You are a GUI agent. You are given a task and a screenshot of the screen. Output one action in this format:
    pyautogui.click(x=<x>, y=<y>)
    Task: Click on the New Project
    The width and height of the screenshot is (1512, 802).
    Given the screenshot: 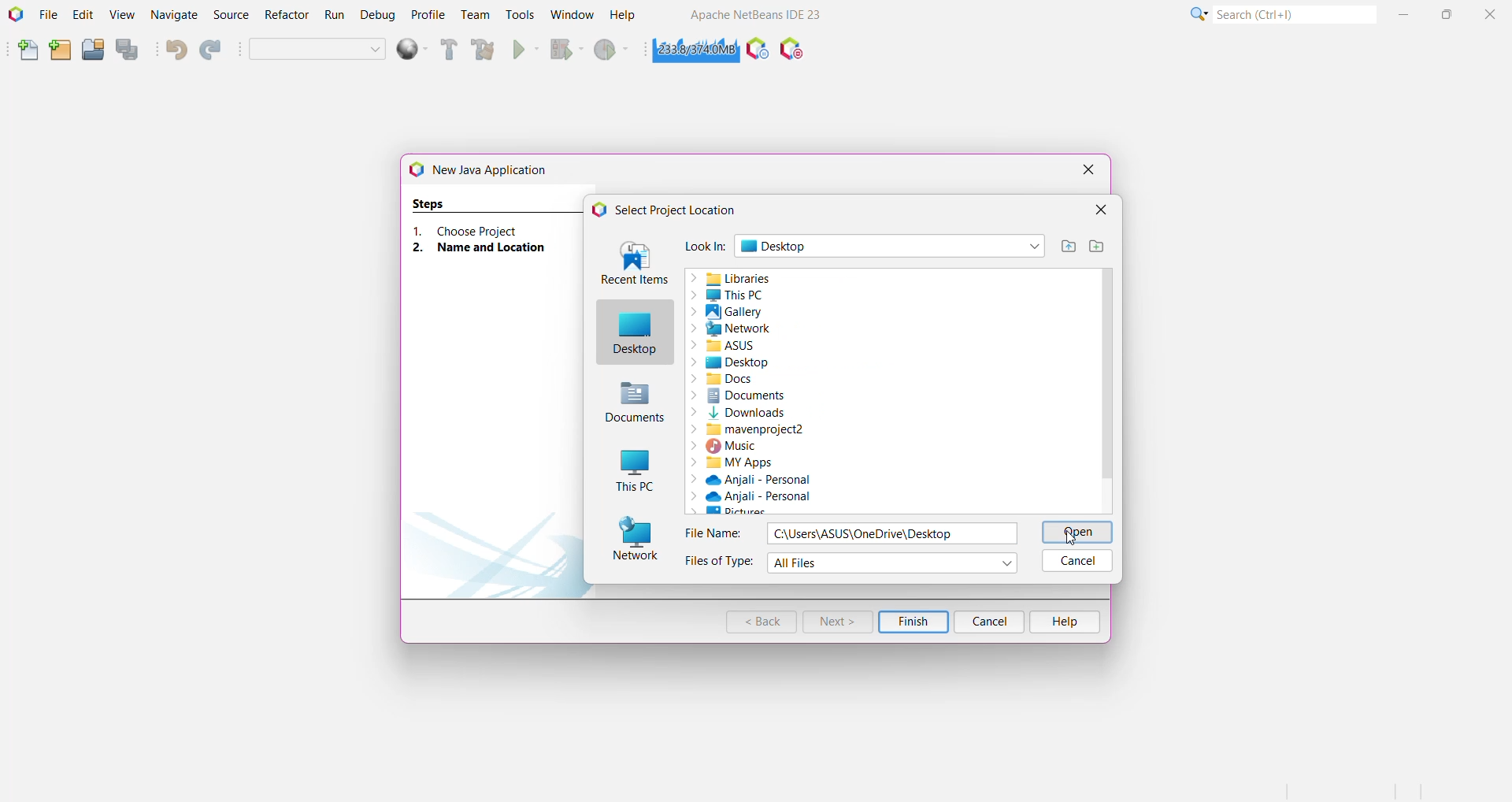 What is the action you would take?
    pyautogui.click(x=59, y=51)
    